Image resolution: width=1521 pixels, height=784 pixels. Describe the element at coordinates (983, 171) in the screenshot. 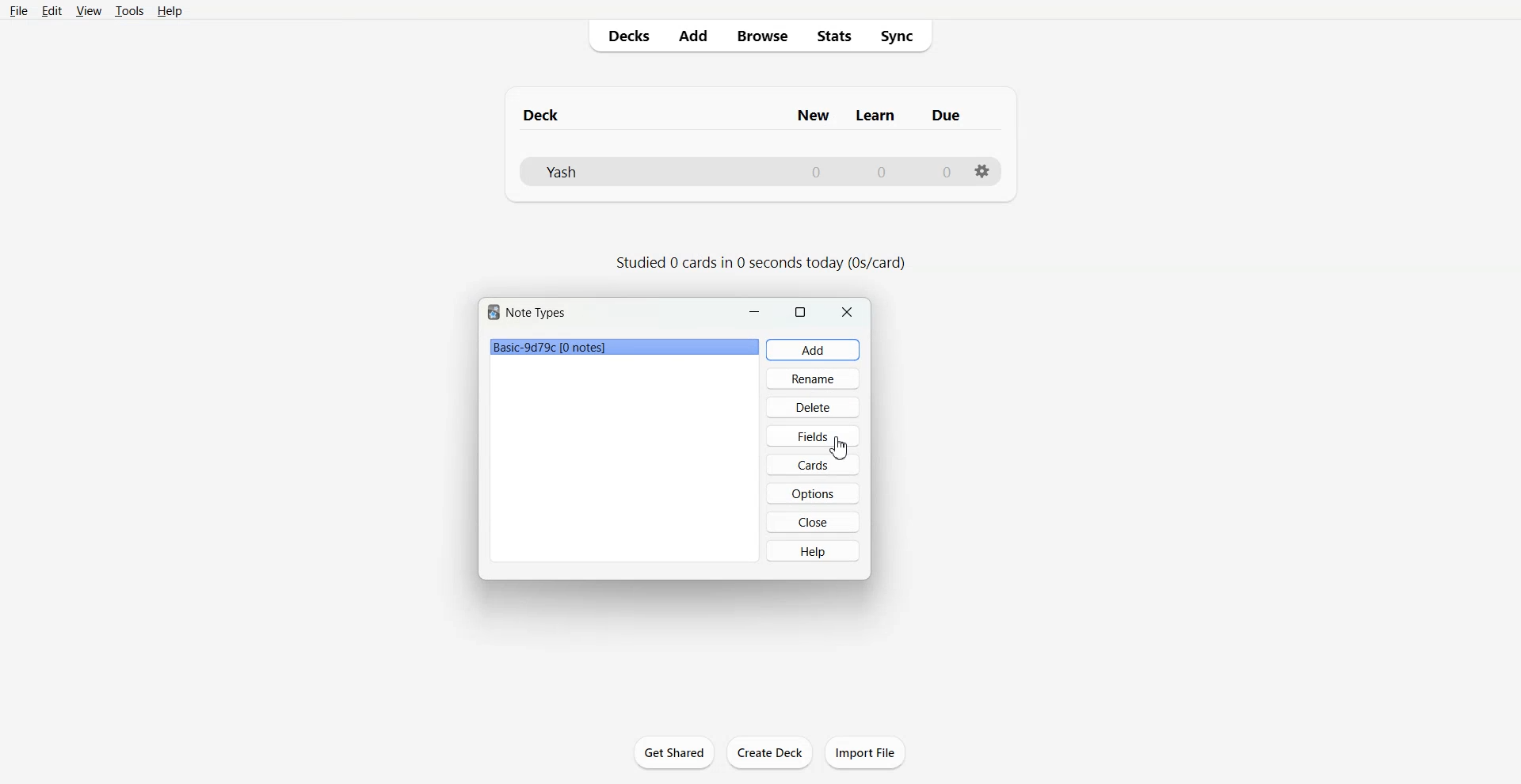

I see `Settings` at that location.